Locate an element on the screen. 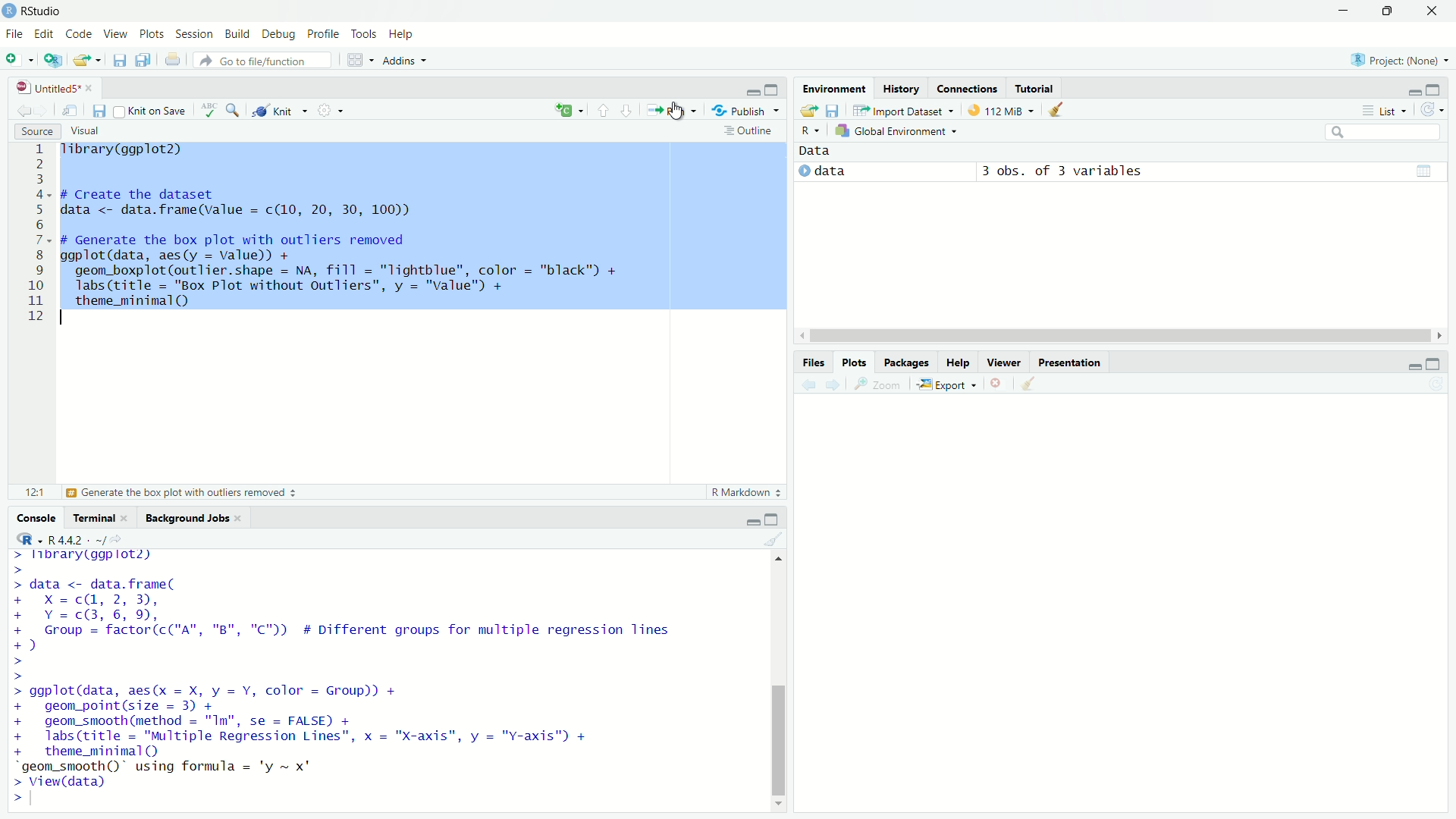 The width and height of the screenshot is (1456, 819). files is located at coordinates (836, 111).